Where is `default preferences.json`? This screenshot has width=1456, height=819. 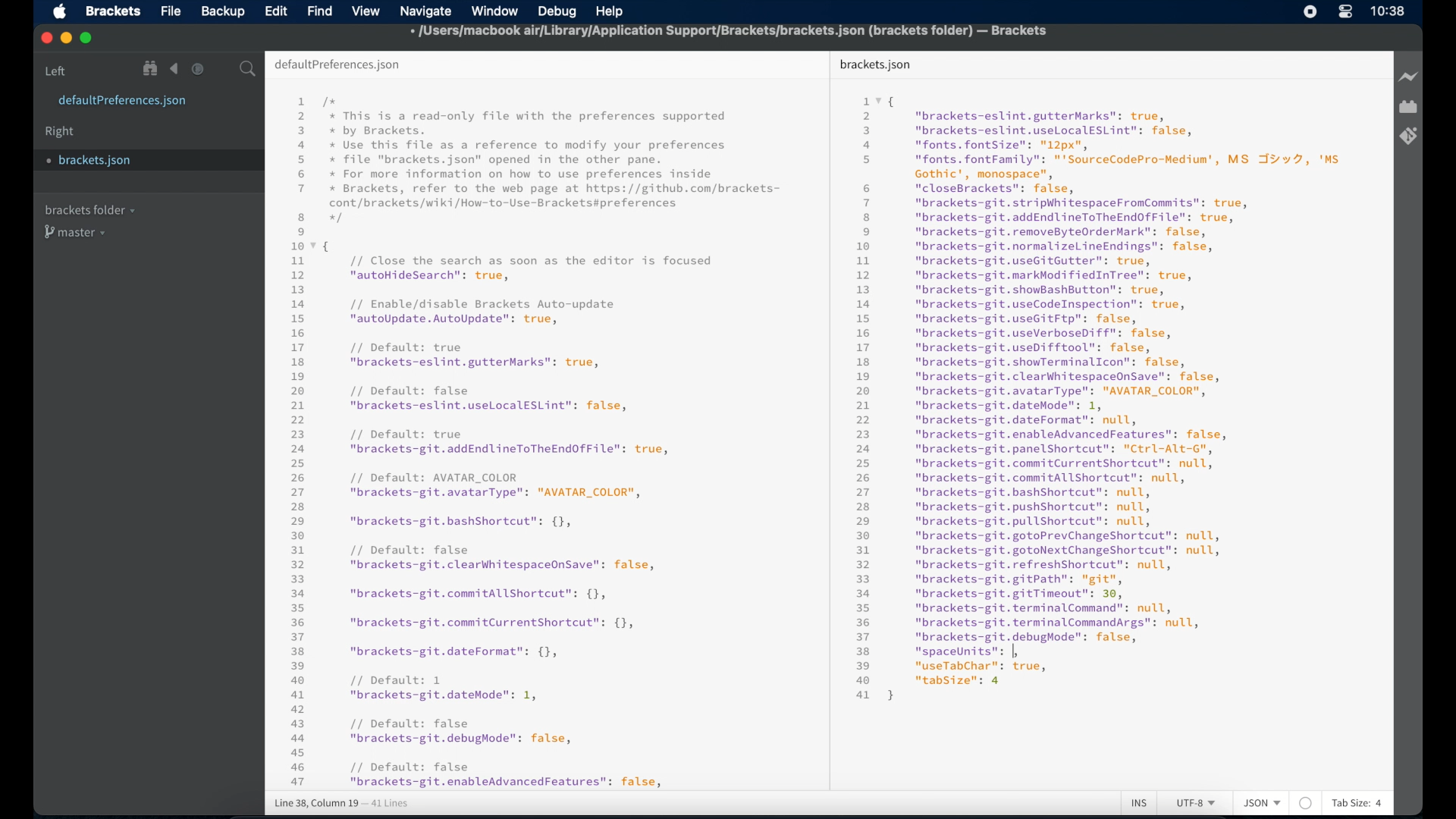
default preferences.json is located at coordinates (337, 65).